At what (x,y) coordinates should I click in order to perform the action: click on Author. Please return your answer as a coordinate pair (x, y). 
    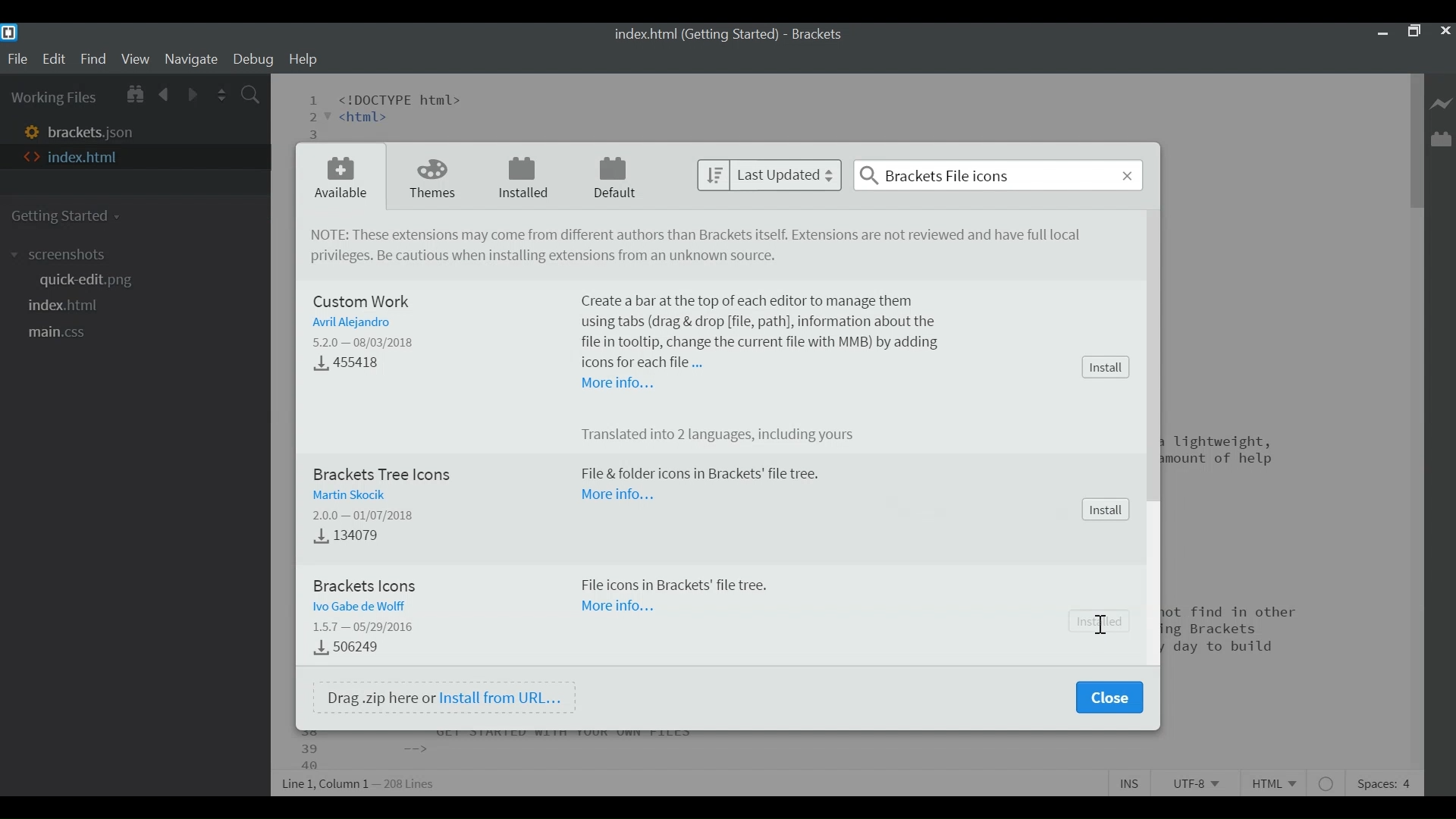
    Looking at the image, I should click on (348, 323).